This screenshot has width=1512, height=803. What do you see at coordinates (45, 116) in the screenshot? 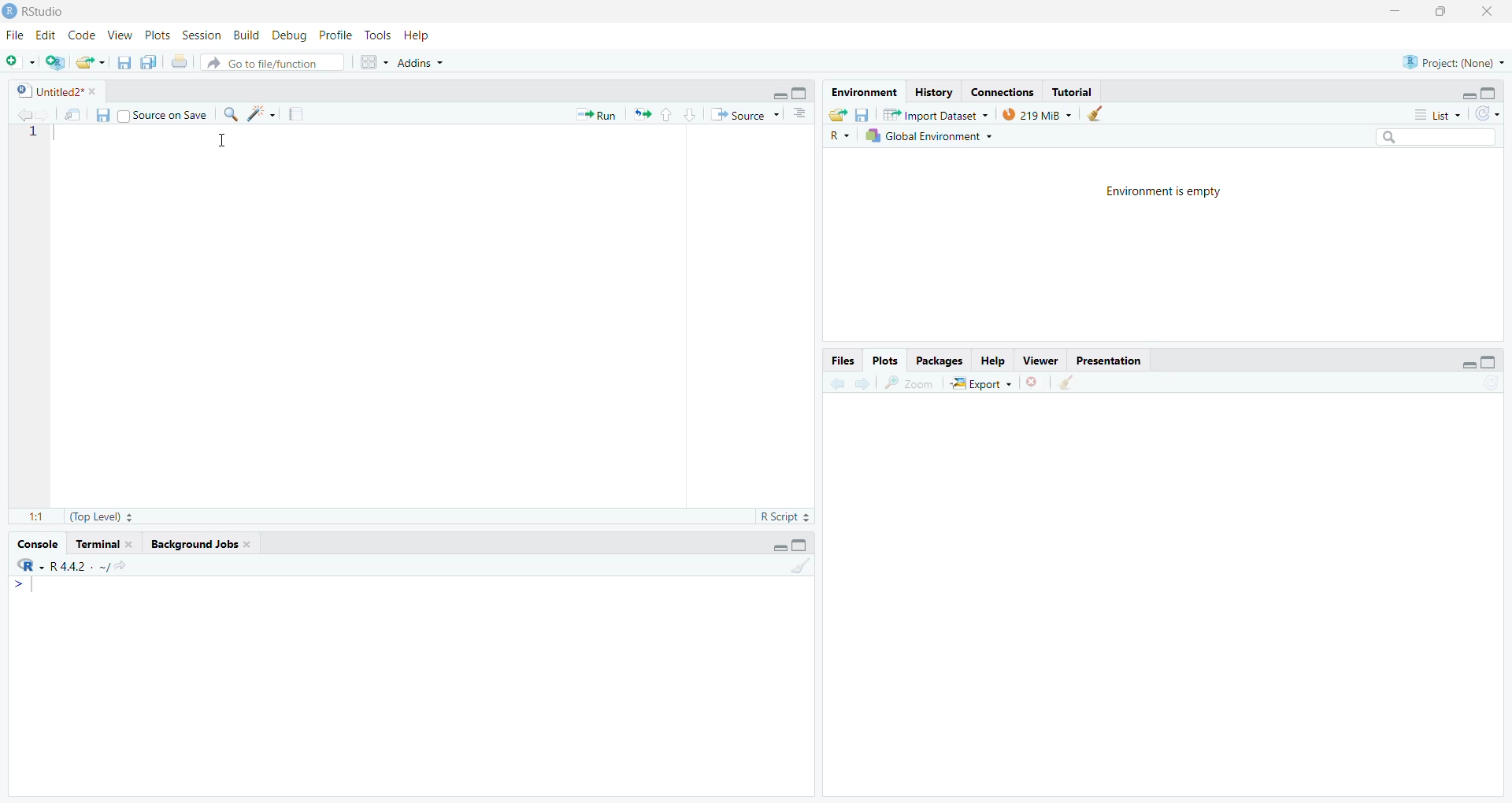
I see `Go to next source location` at bounding box center [45, 116].